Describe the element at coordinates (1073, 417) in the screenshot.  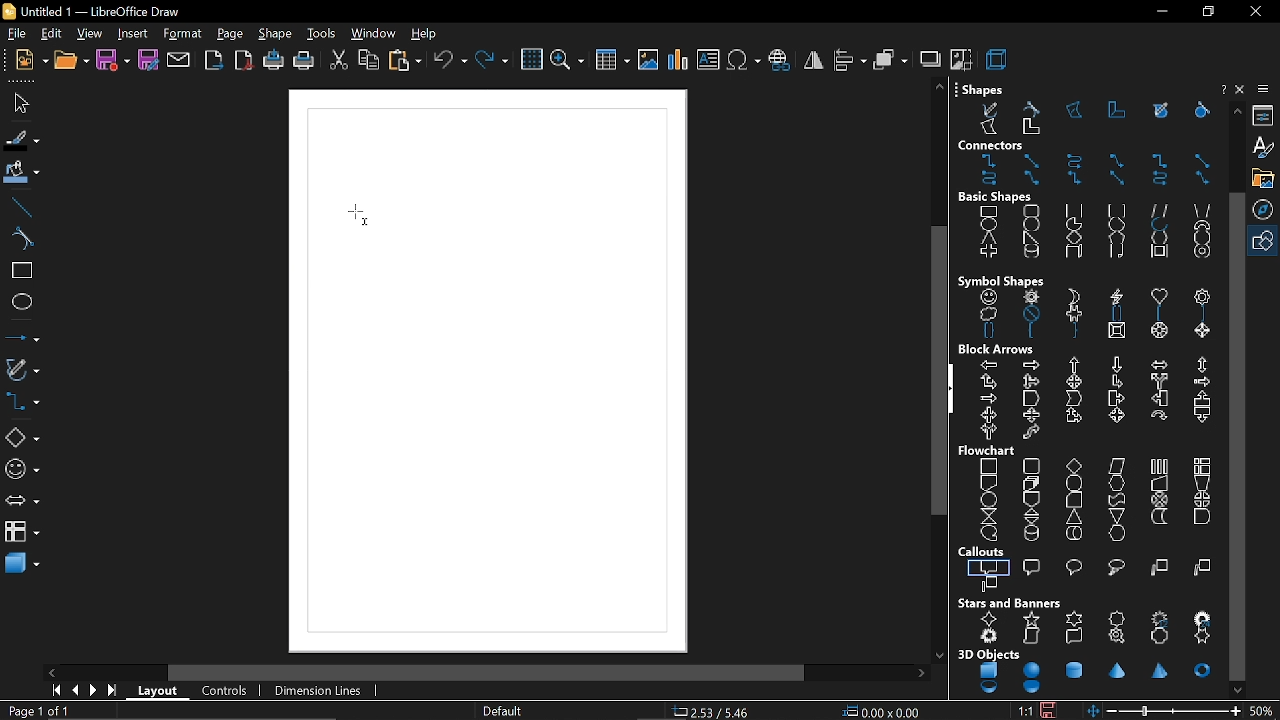
I see `up and right arrow callout` at that location.